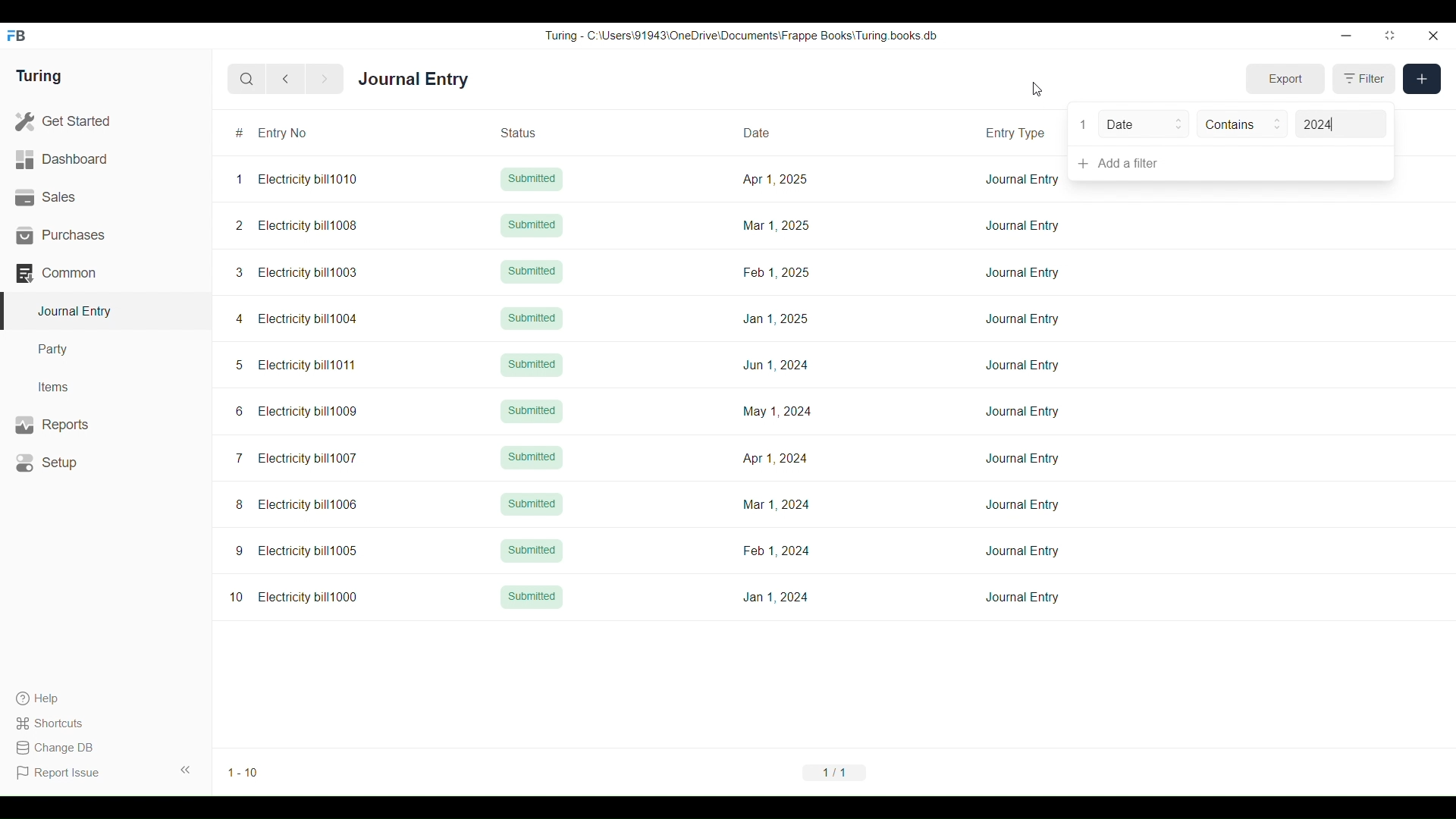 This screenshot has width=1456, height=819. What do you see at coordinates (777, 410) in the screenshot?
I see `May 1, 2024` at bounding box center [777, 410].